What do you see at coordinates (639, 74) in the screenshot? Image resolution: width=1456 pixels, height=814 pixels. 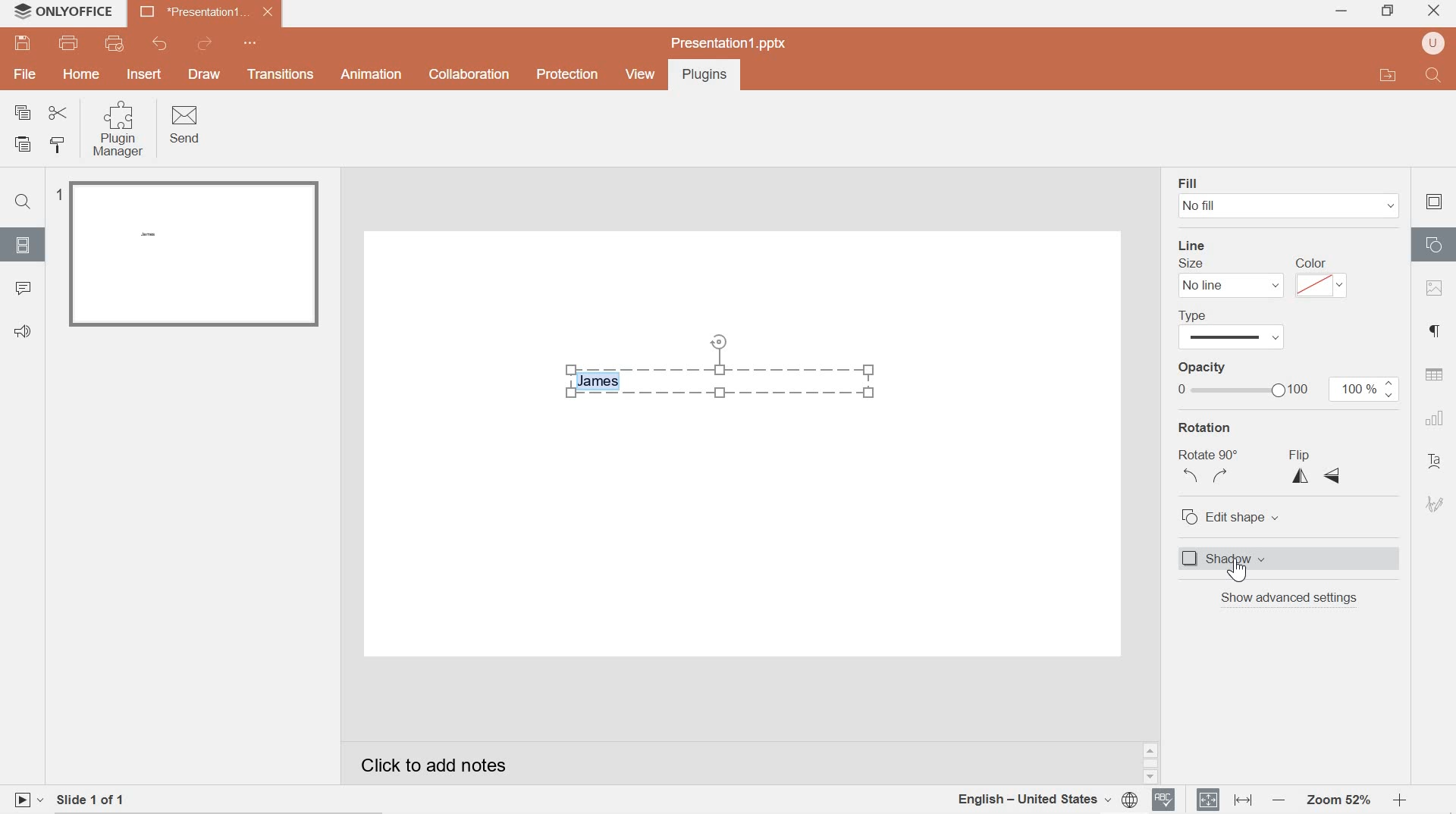 I see `view` at bounding box center [639, 74].